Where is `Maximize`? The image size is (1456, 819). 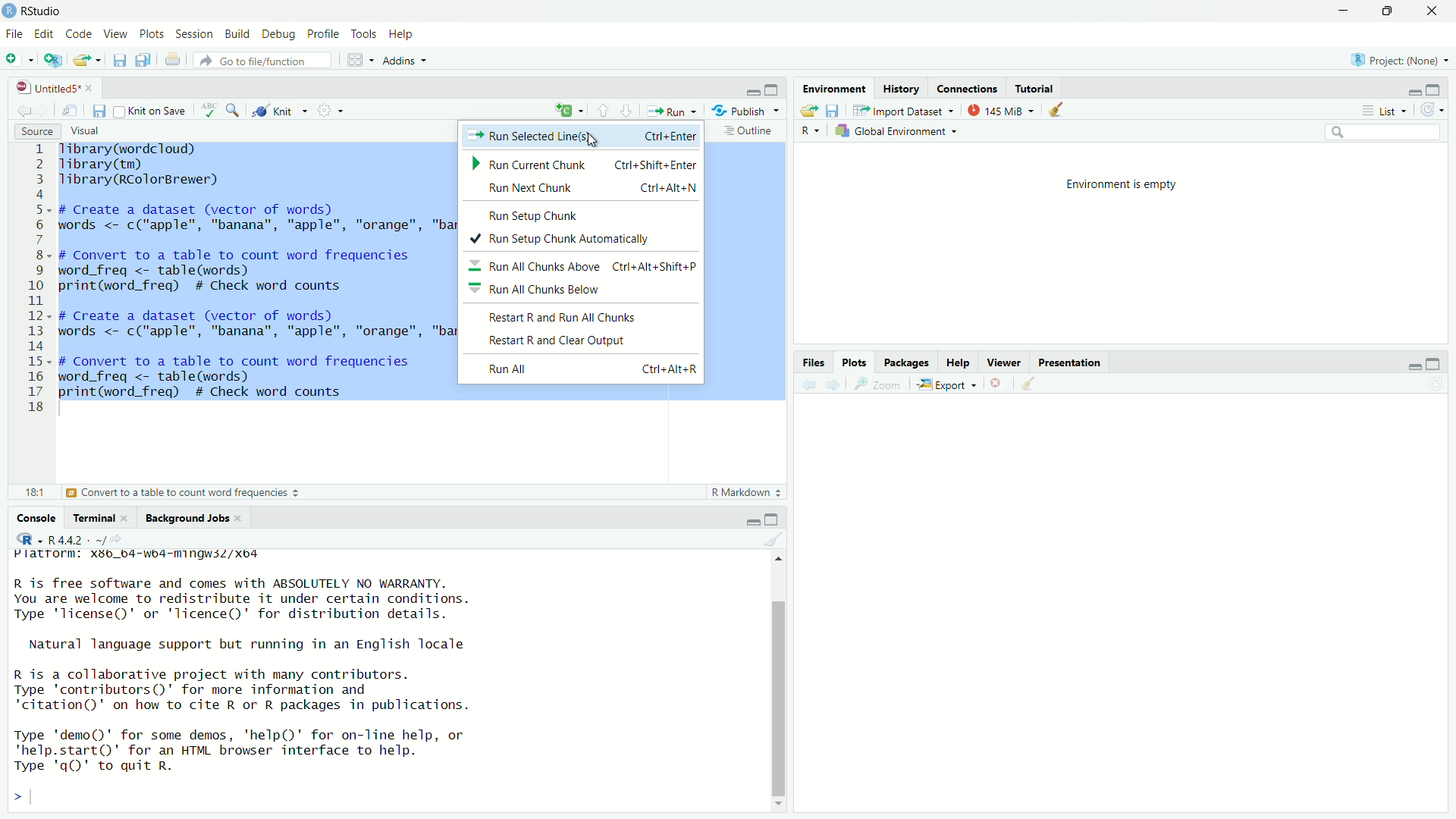 Maximize is located at coordinates (1389, 12).